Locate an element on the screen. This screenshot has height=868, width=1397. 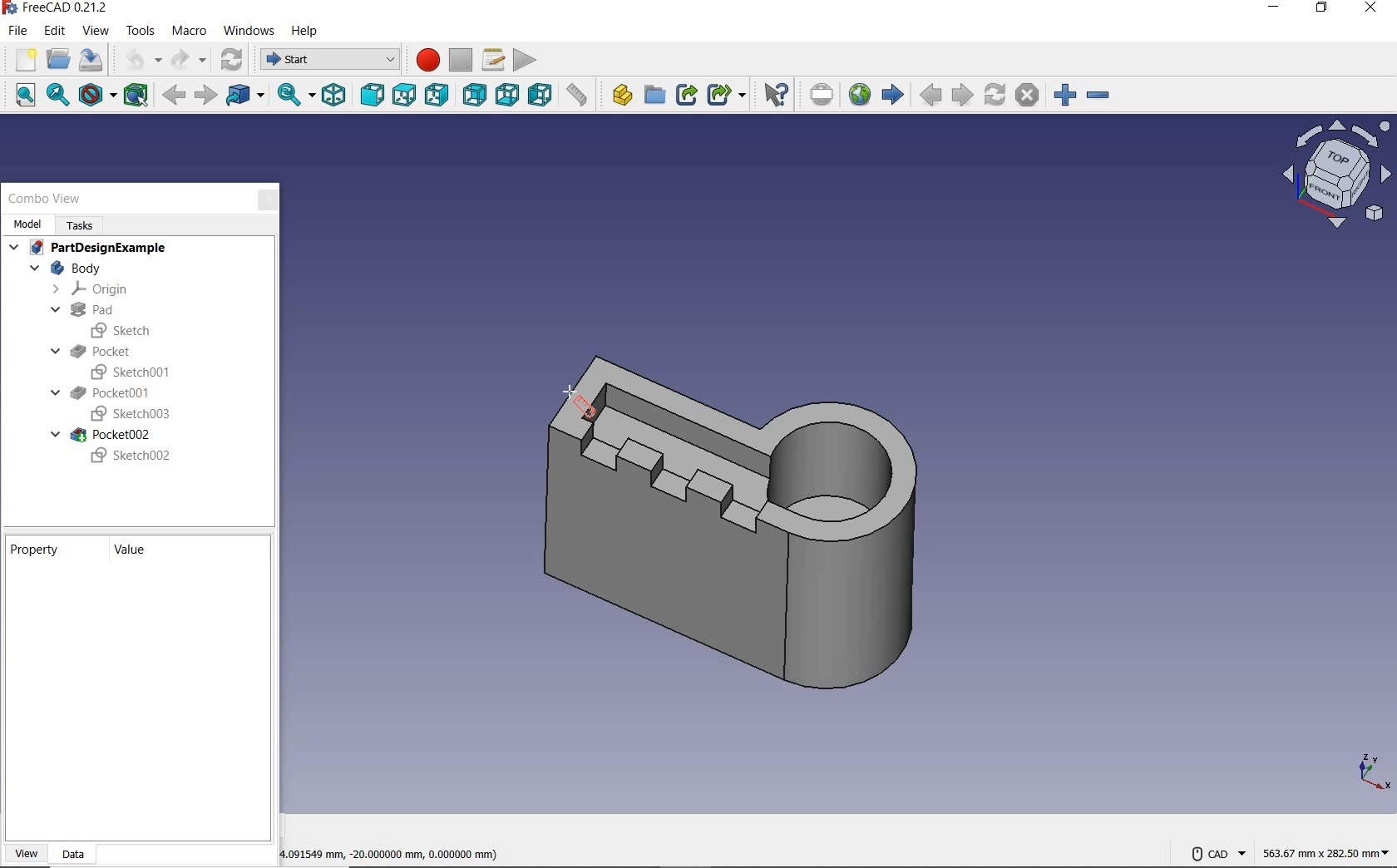
zoom in is located at coordinates (1065, 96).